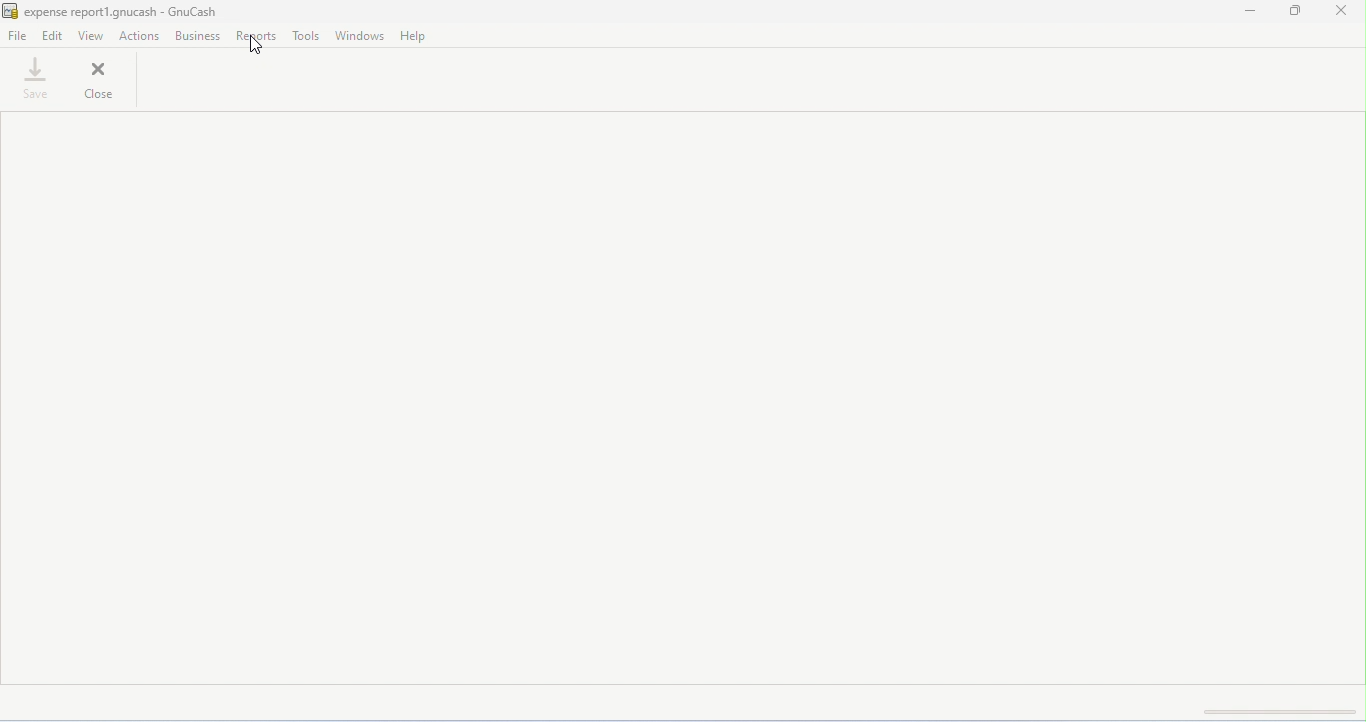  Describe the element at coordinates (18, 34) in the screenshot. I see `file` at that location.